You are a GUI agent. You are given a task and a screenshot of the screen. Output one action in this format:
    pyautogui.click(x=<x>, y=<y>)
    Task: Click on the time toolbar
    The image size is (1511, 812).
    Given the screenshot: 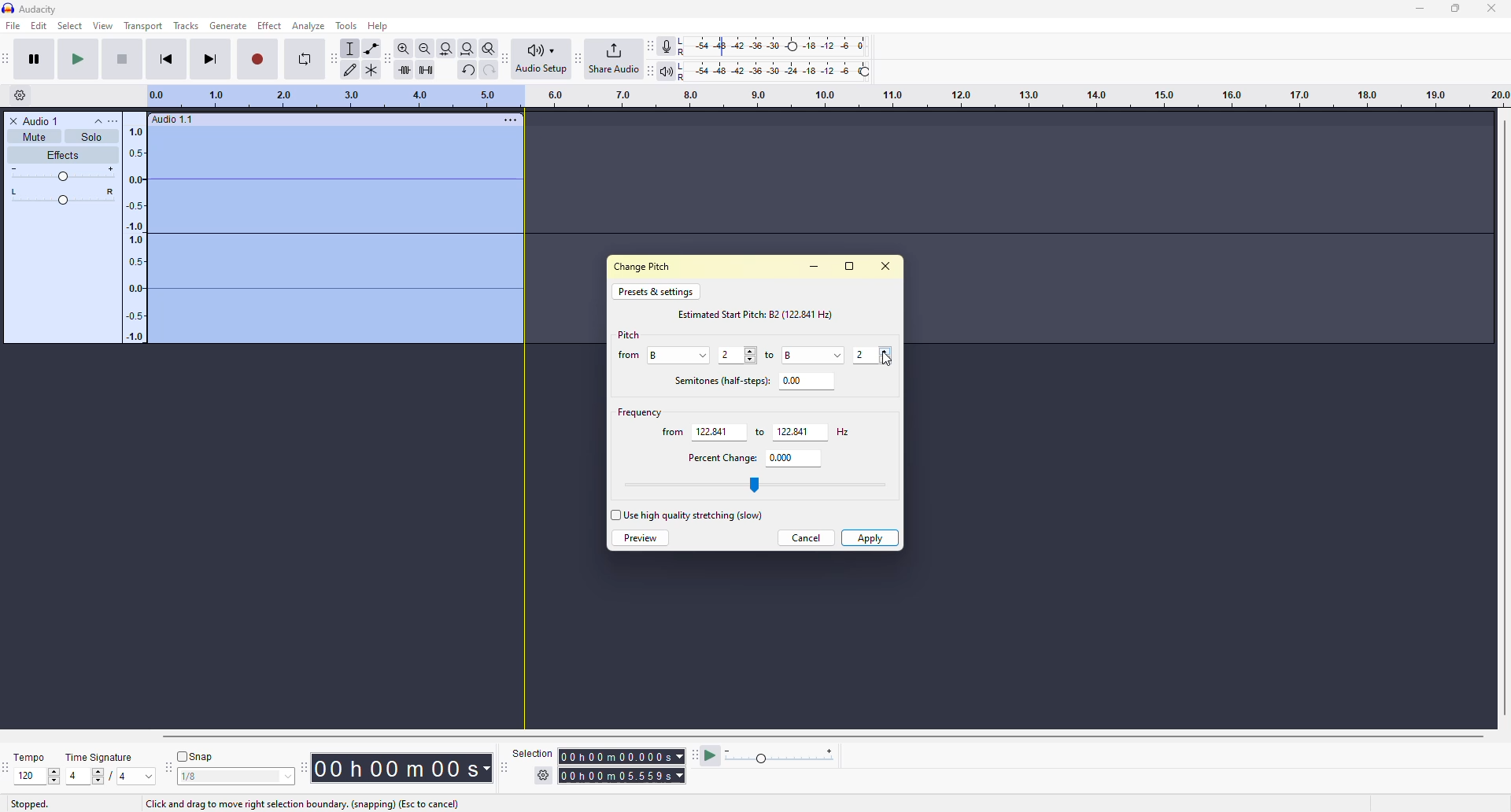 What is the action you would take?
    pyautogui.click(x=307, y=766)
    